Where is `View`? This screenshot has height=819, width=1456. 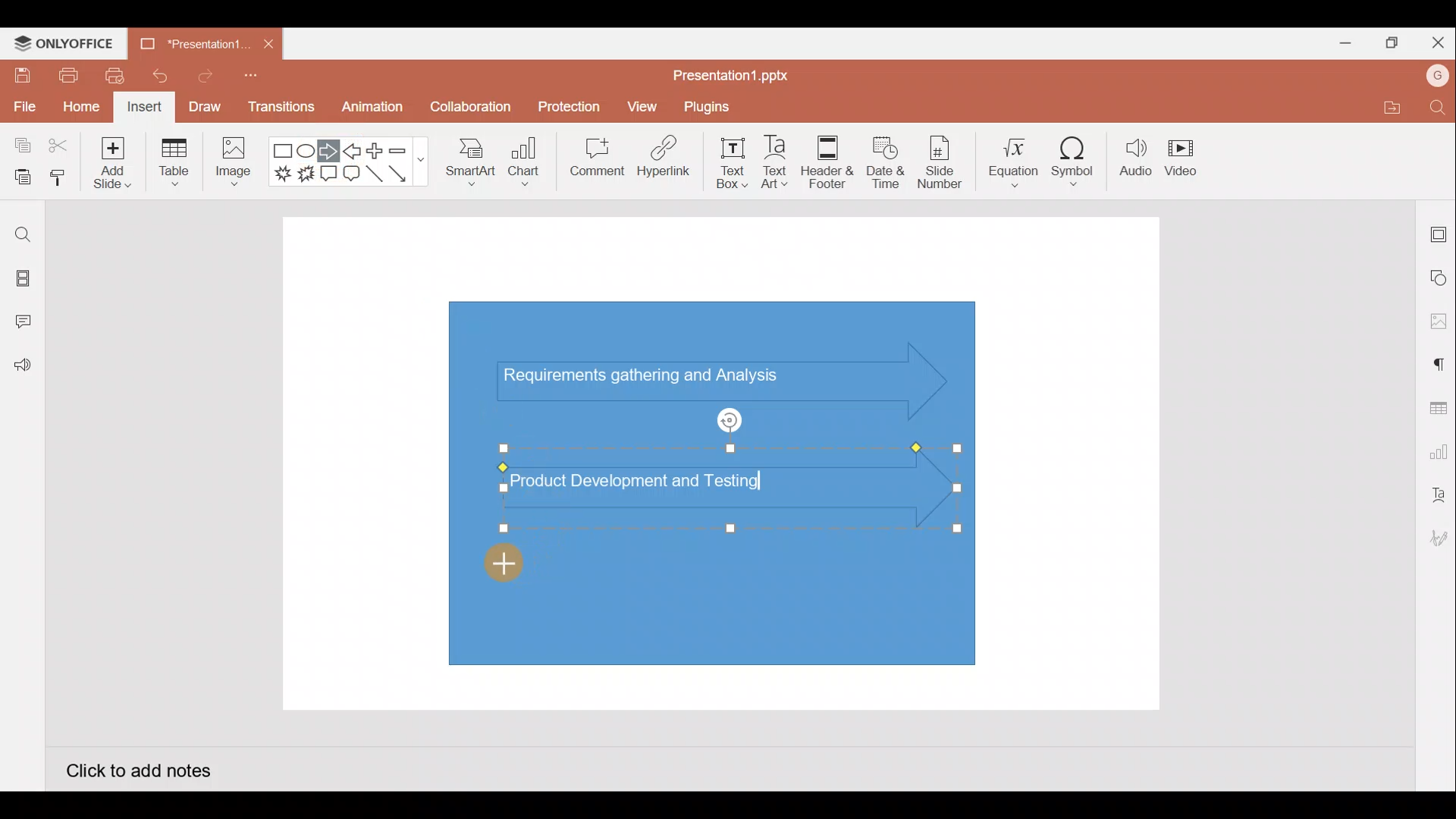 View is located at coordinates (645, 103).